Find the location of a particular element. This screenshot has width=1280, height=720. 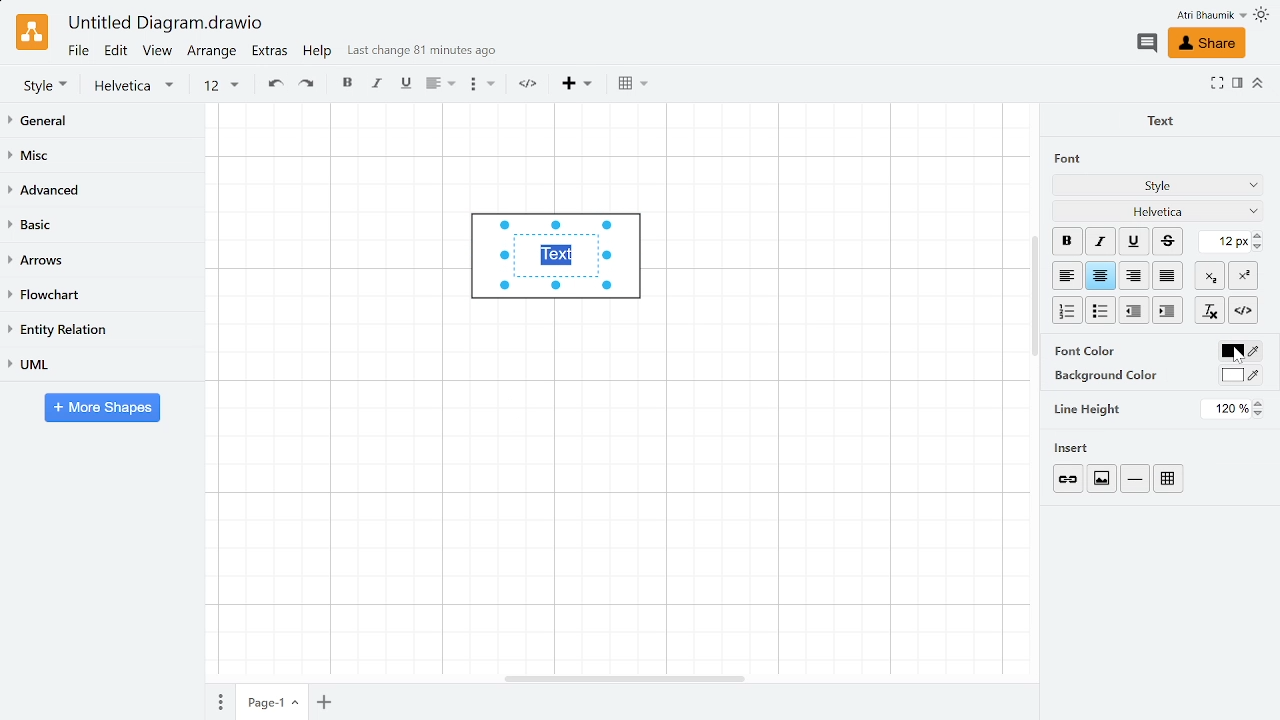

undo is located at coordinates (273, 85).